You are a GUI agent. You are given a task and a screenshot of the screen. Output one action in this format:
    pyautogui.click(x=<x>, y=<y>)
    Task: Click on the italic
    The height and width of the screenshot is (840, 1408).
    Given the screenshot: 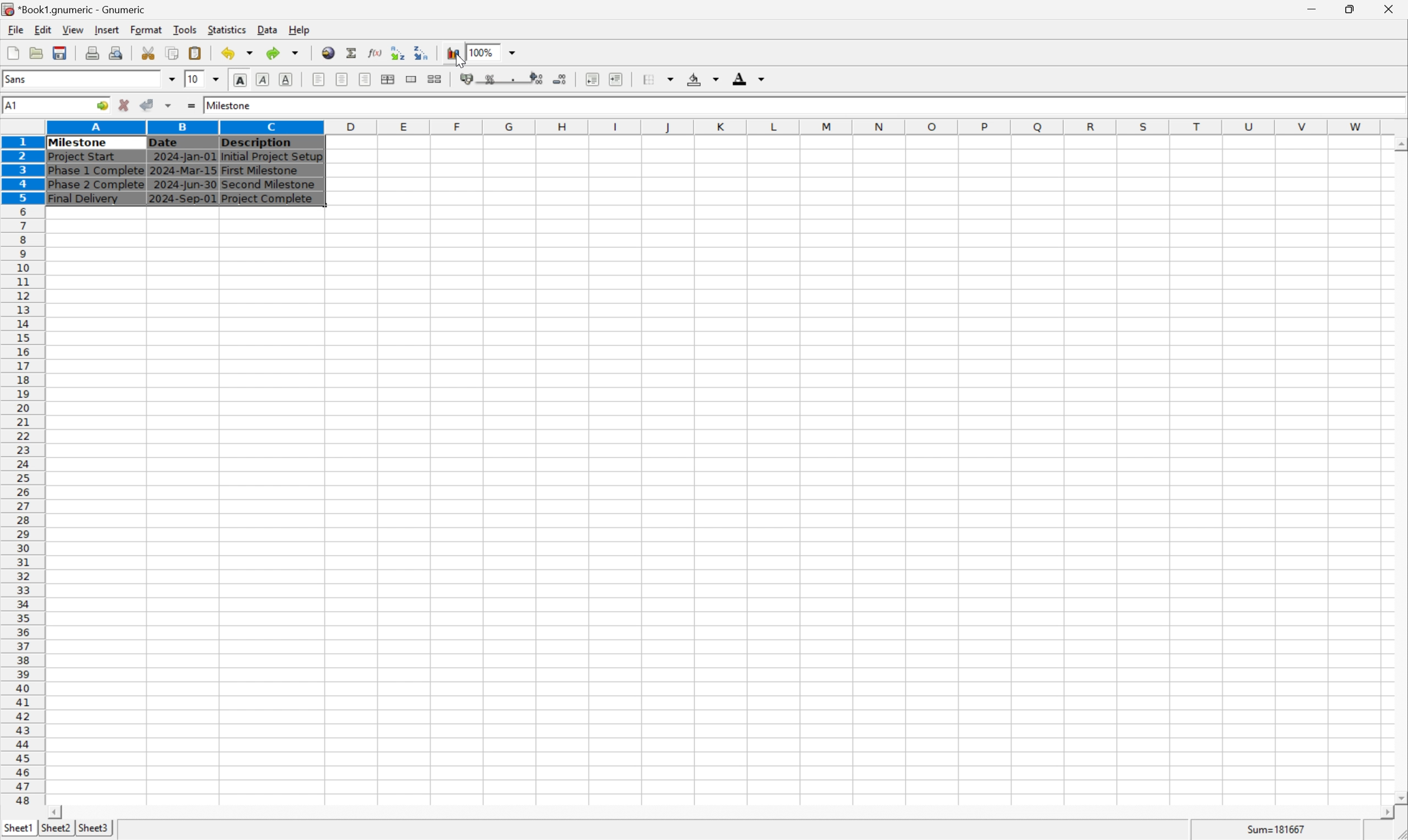 What is the action you would take?
    pyautogui.click(x=263, y=79)
    